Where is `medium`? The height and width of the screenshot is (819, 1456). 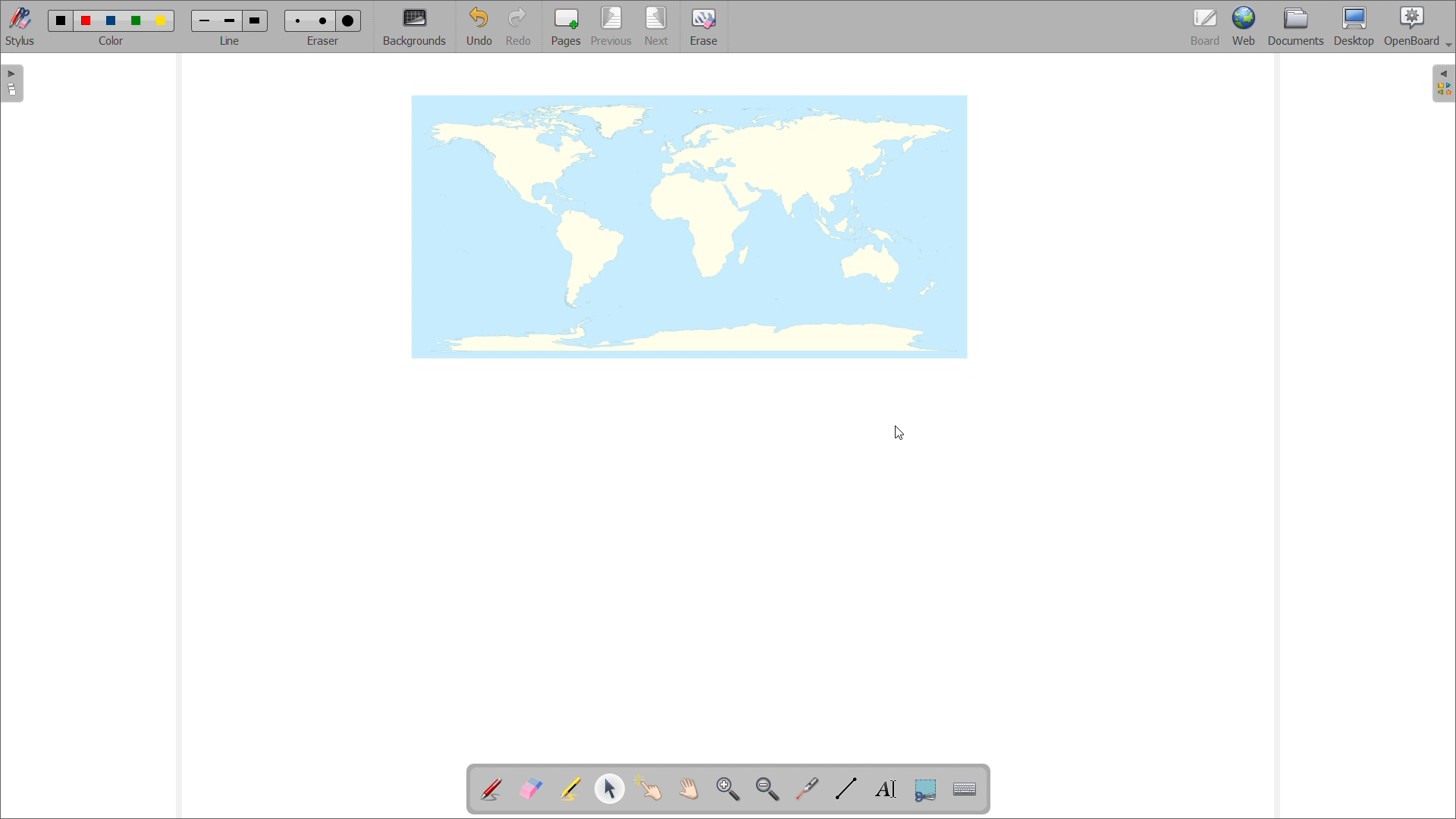 medium is located at coordinates (325, 21).